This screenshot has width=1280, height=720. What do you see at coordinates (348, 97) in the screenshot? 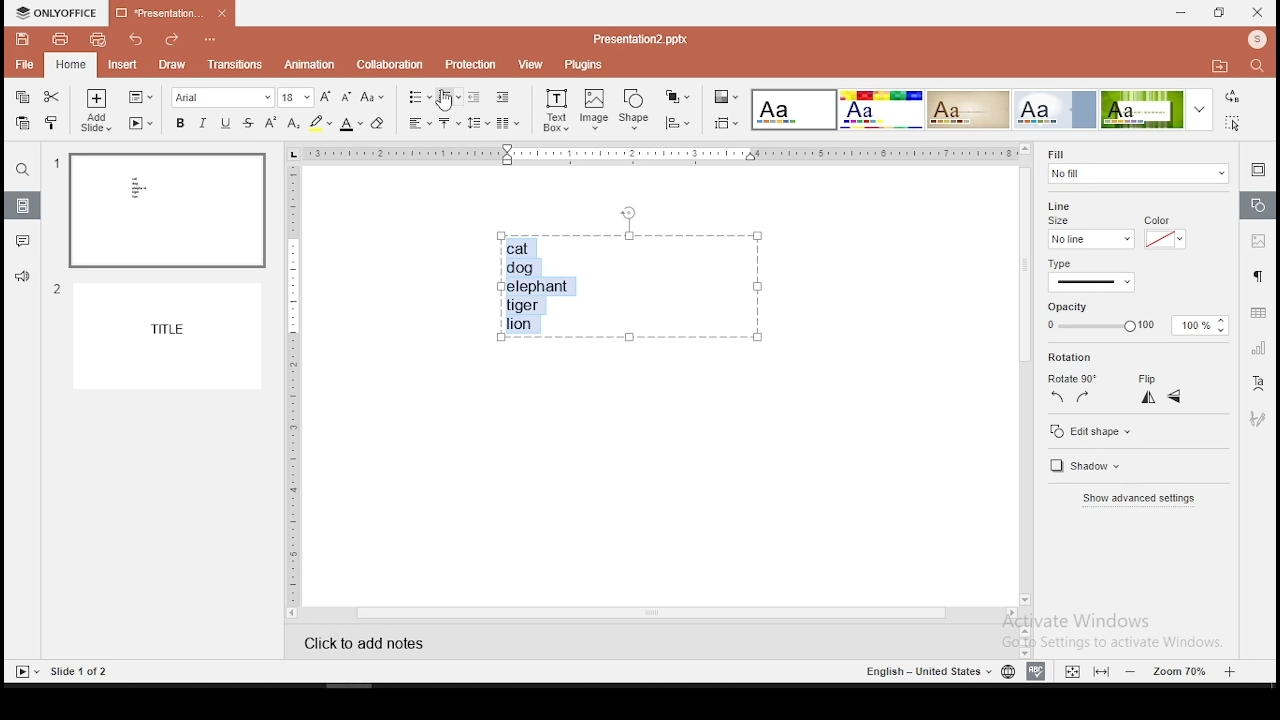
I see `decrease font size` at bounding box center [348, 97].